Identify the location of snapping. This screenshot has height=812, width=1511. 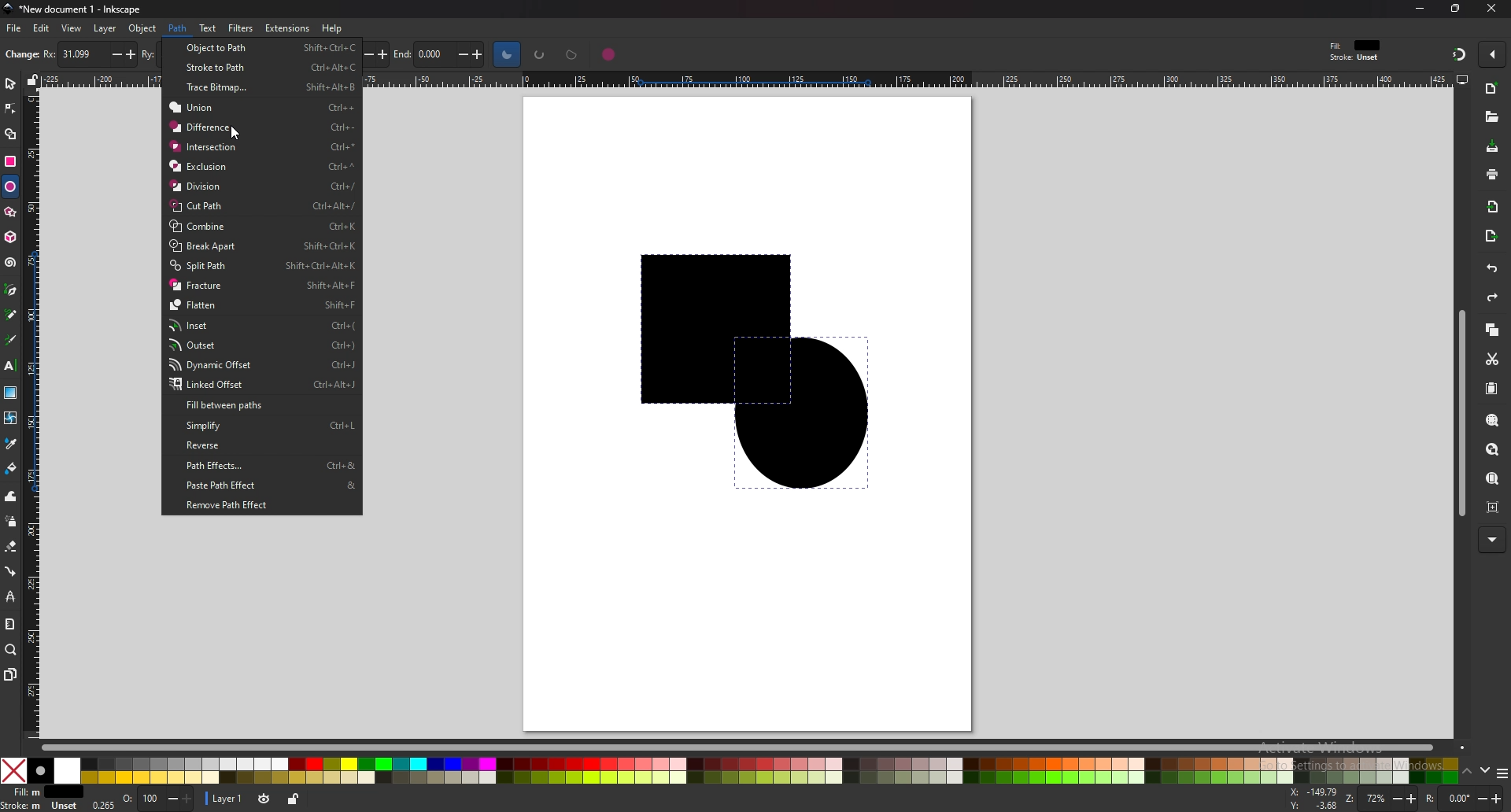
(1457, 54).